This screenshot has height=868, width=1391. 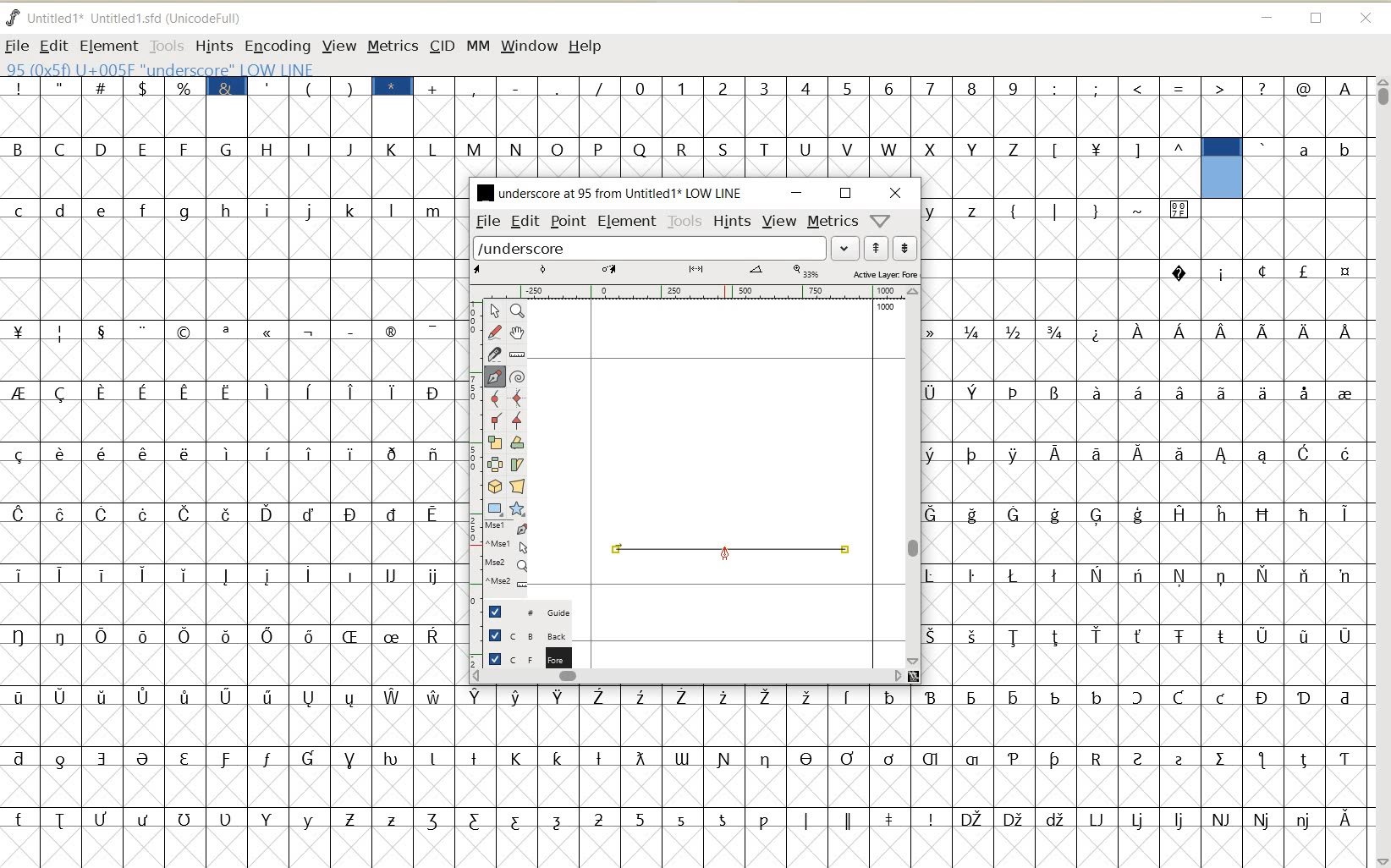 What do you see at coordinates (518, 354) in the screenshot?
I see `measure a distance, angle between points` at bounding box center [518, 354].